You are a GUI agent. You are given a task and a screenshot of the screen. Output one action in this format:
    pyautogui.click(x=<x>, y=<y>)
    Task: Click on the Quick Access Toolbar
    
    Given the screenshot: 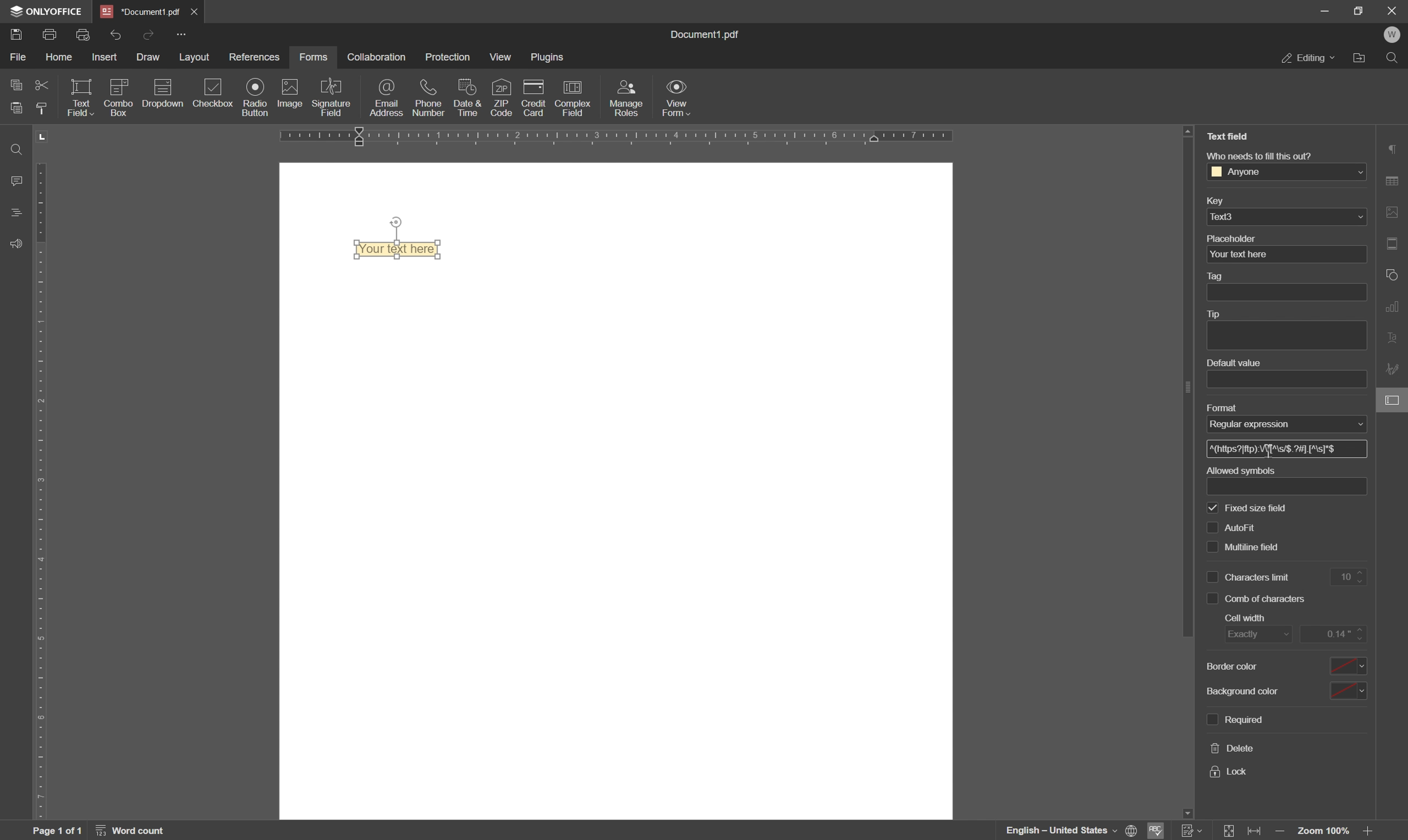 What is the action you would take?
    pyautogui.click(x=181, y=34)
    